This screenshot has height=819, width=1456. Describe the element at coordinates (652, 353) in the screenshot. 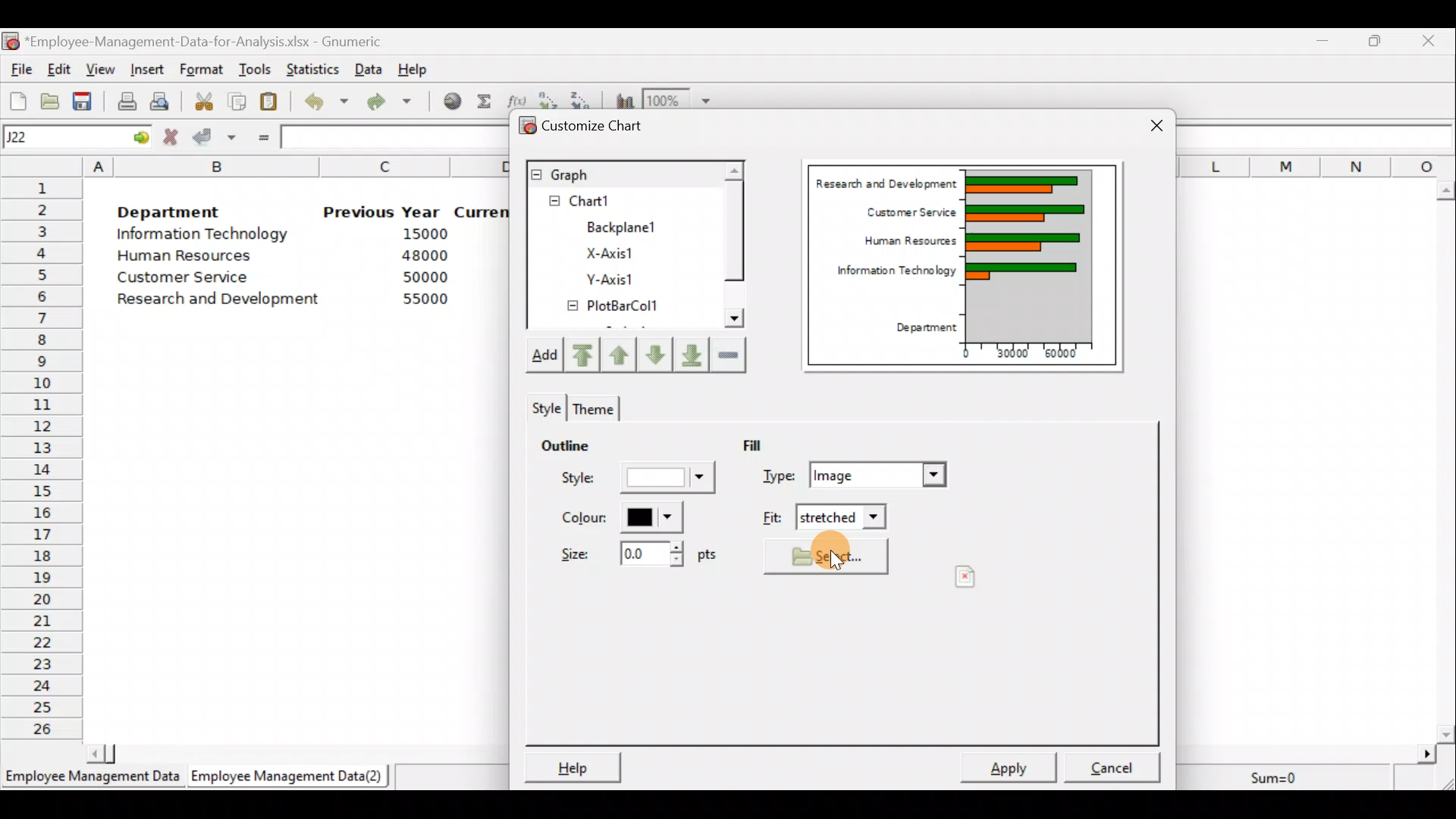

I see `Move up` at that location.